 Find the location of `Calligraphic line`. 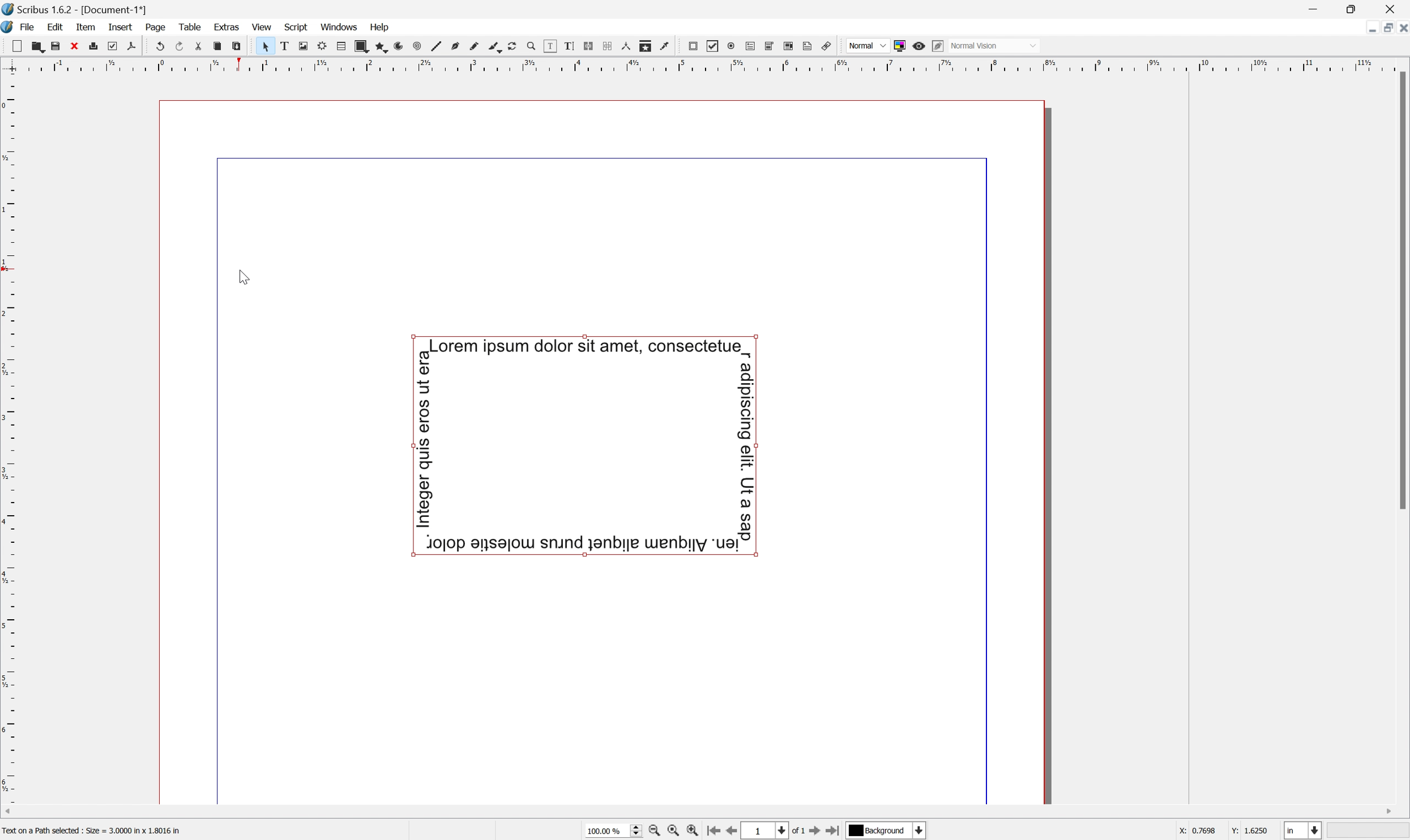

Calligraphic line is located at coordinates (494, 48).